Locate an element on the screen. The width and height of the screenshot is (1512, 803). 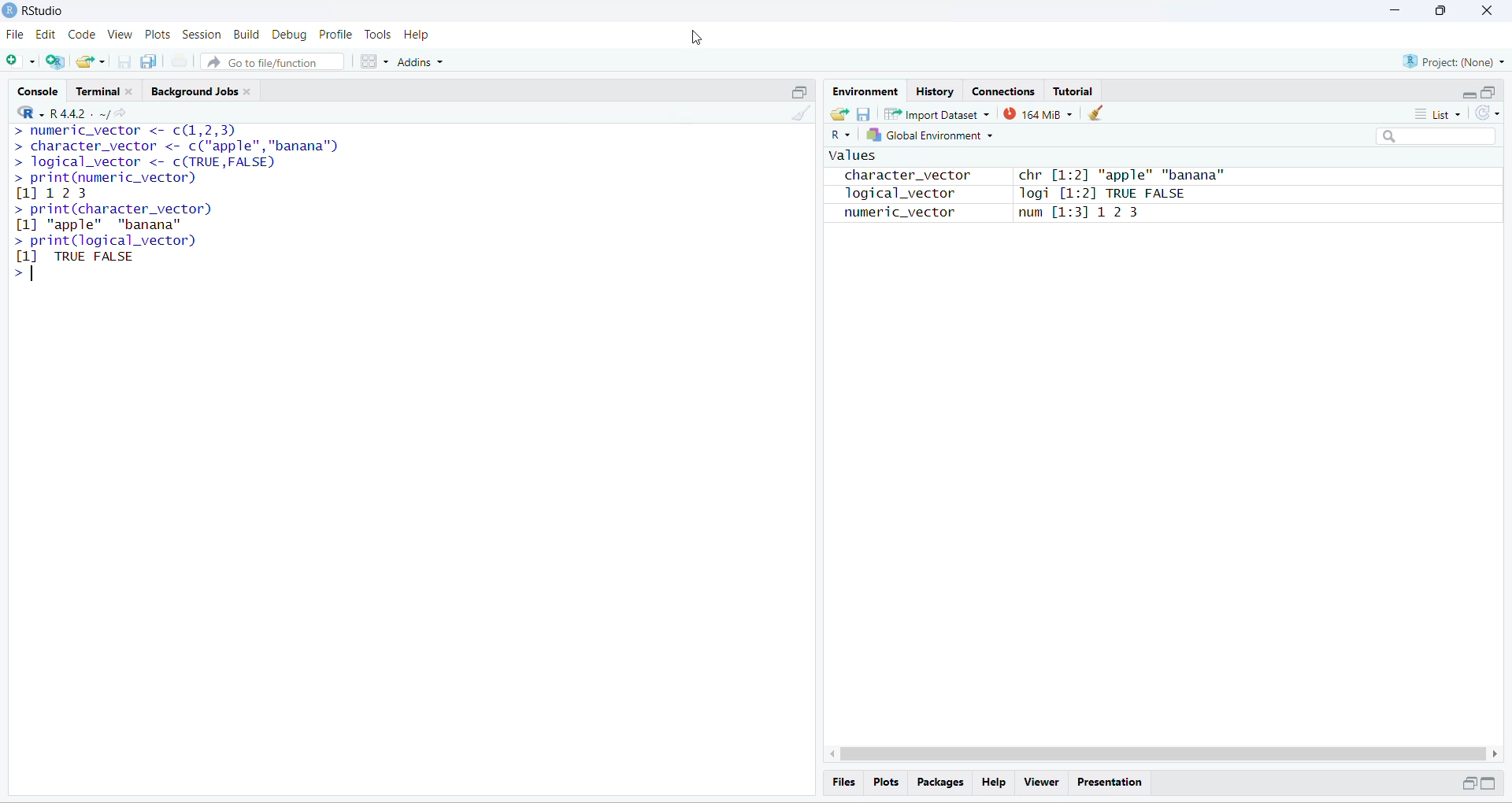
numeric_vector is located at coordinates (890, 213).